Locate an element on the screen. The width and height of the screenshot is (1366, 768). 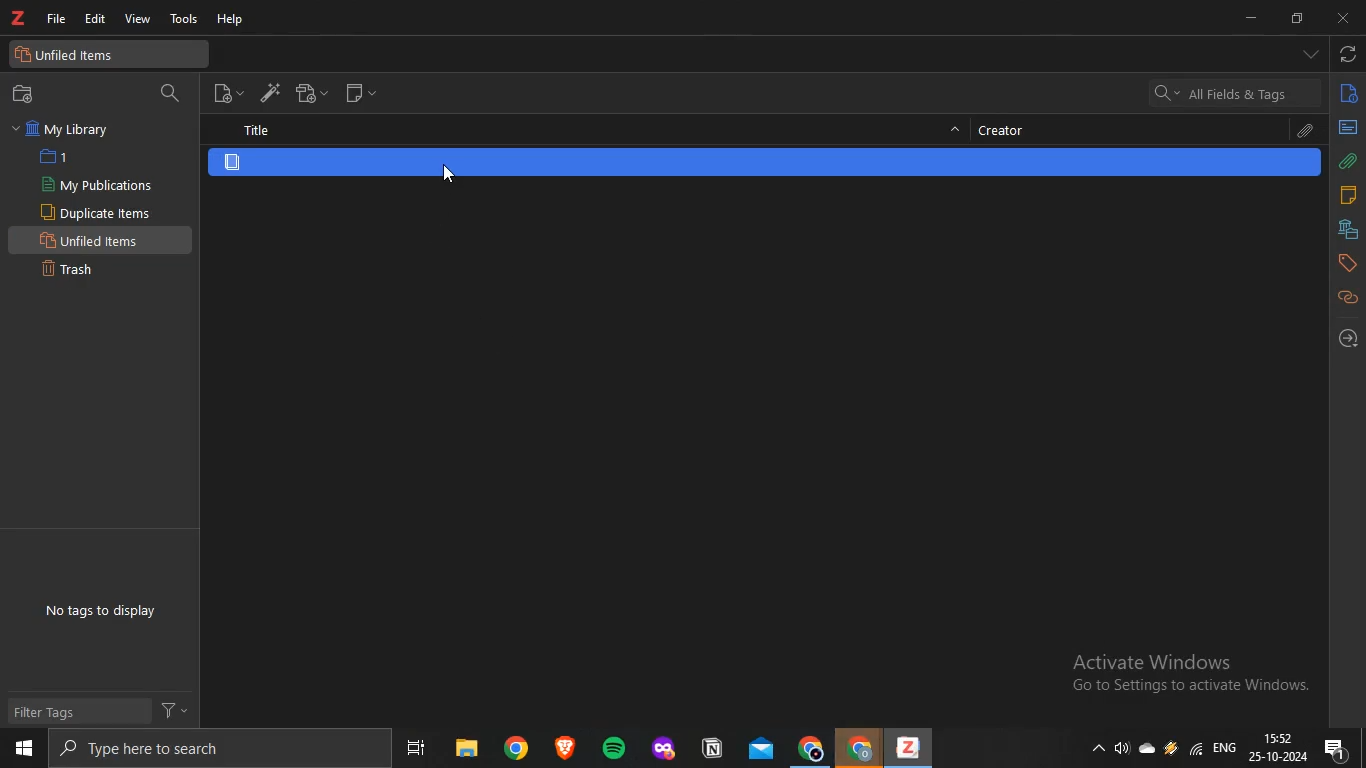
minimize is located at coordinates (1255, 19).